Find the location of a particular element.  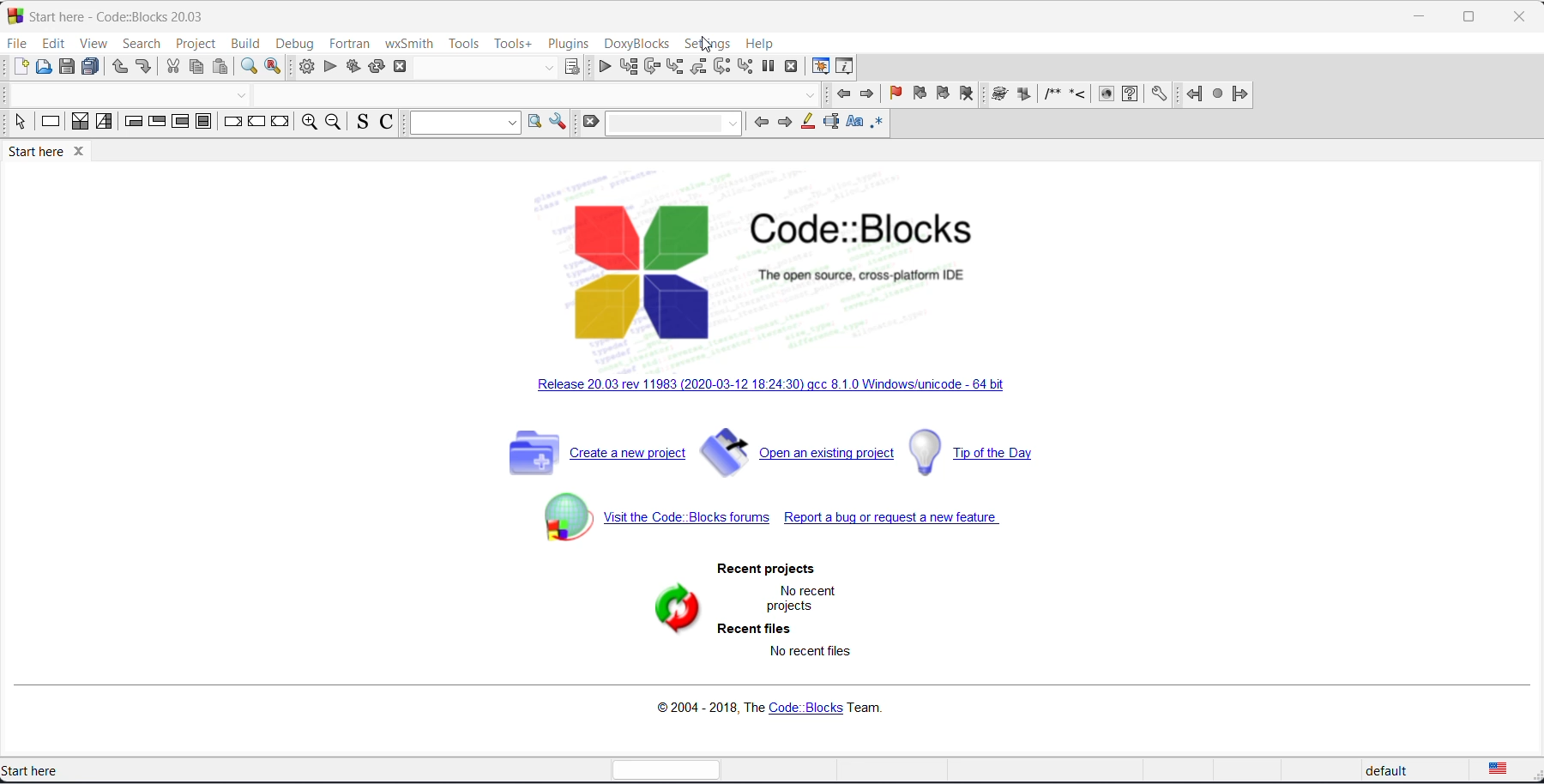

blocks is located at coordinates (1106, 93).